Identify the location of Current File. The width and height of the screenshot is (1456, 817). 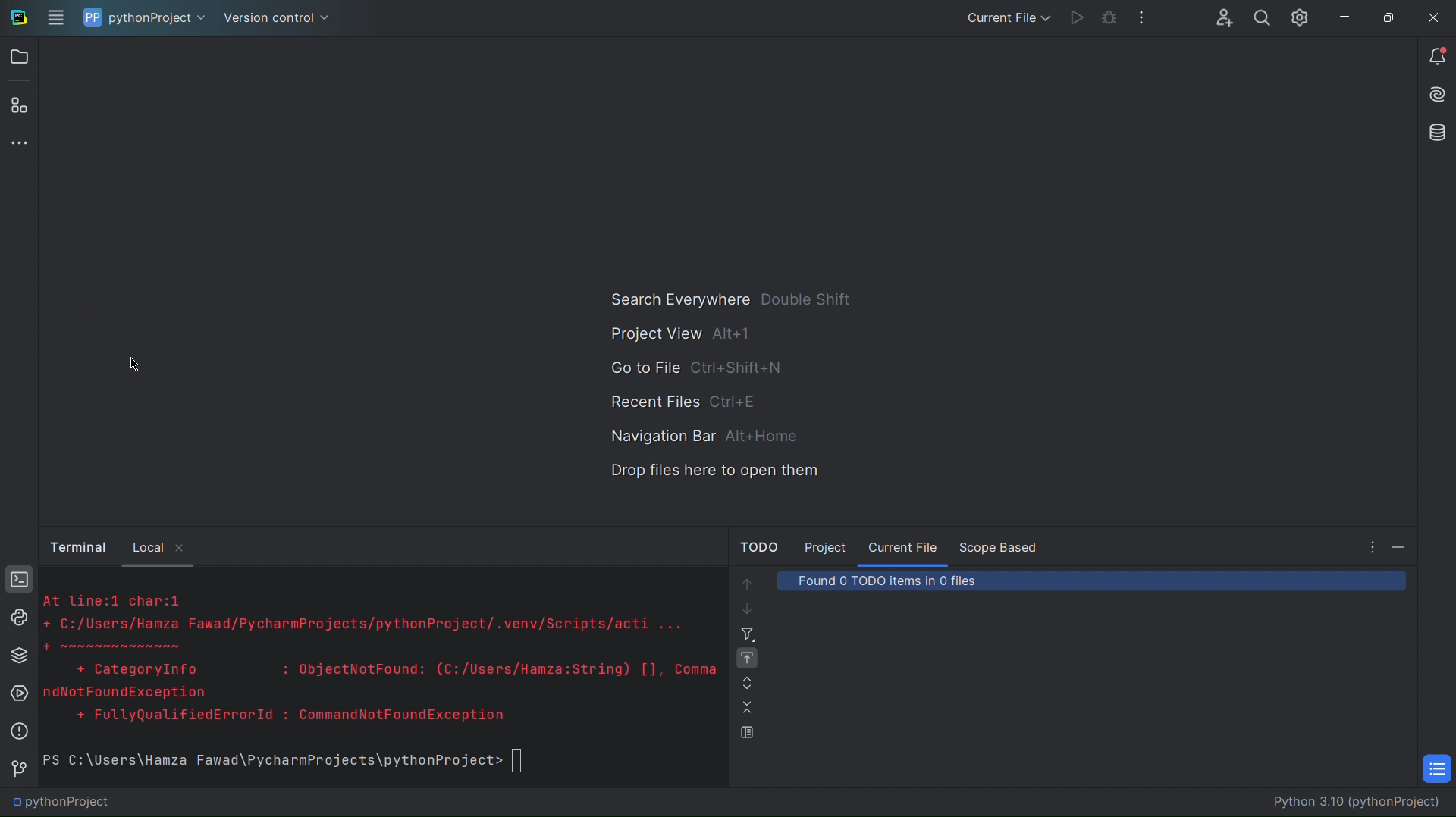
(904, 545).